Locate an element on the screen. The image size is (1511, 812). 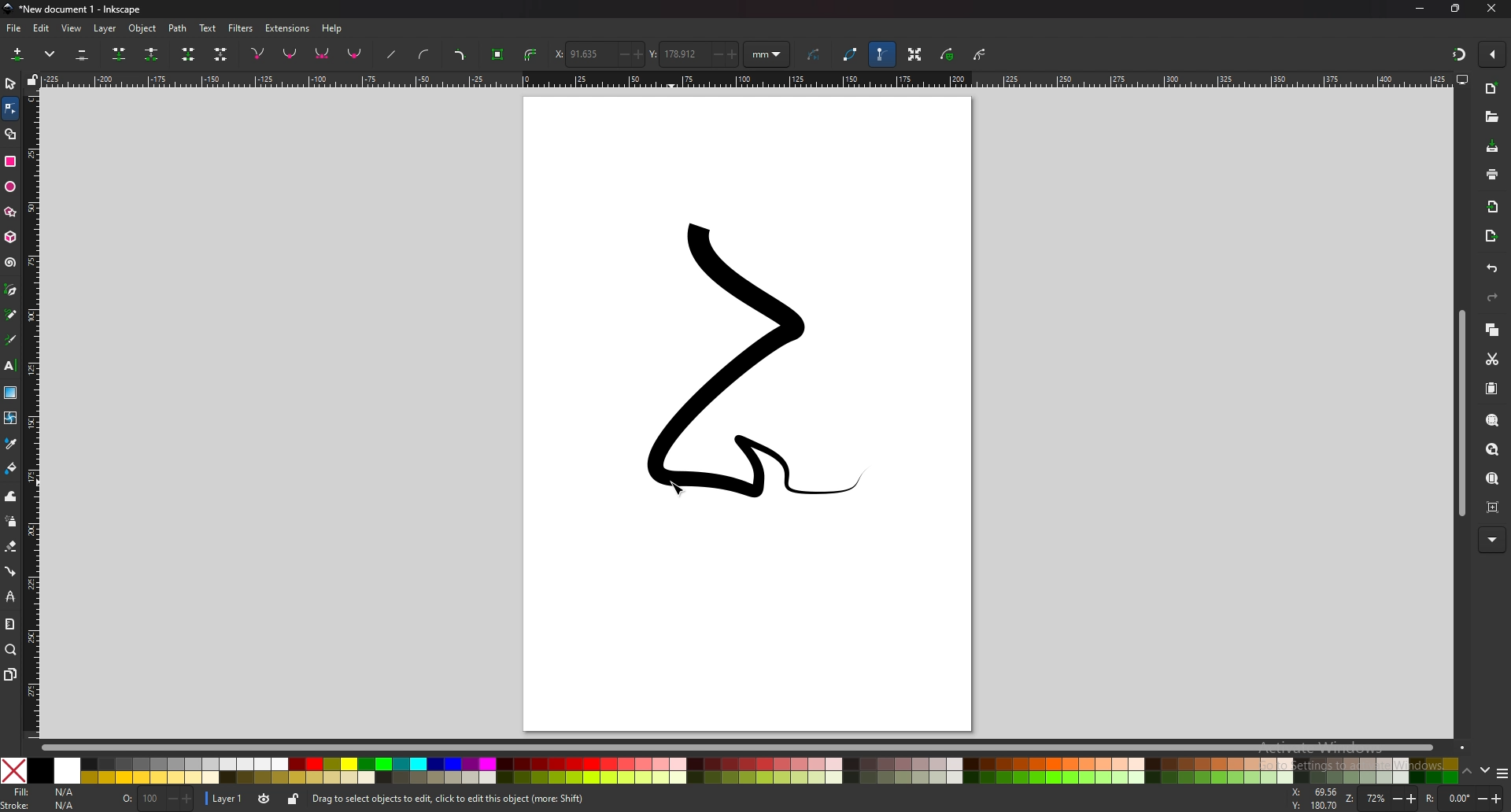
measure is located at coordinates (9, 625).